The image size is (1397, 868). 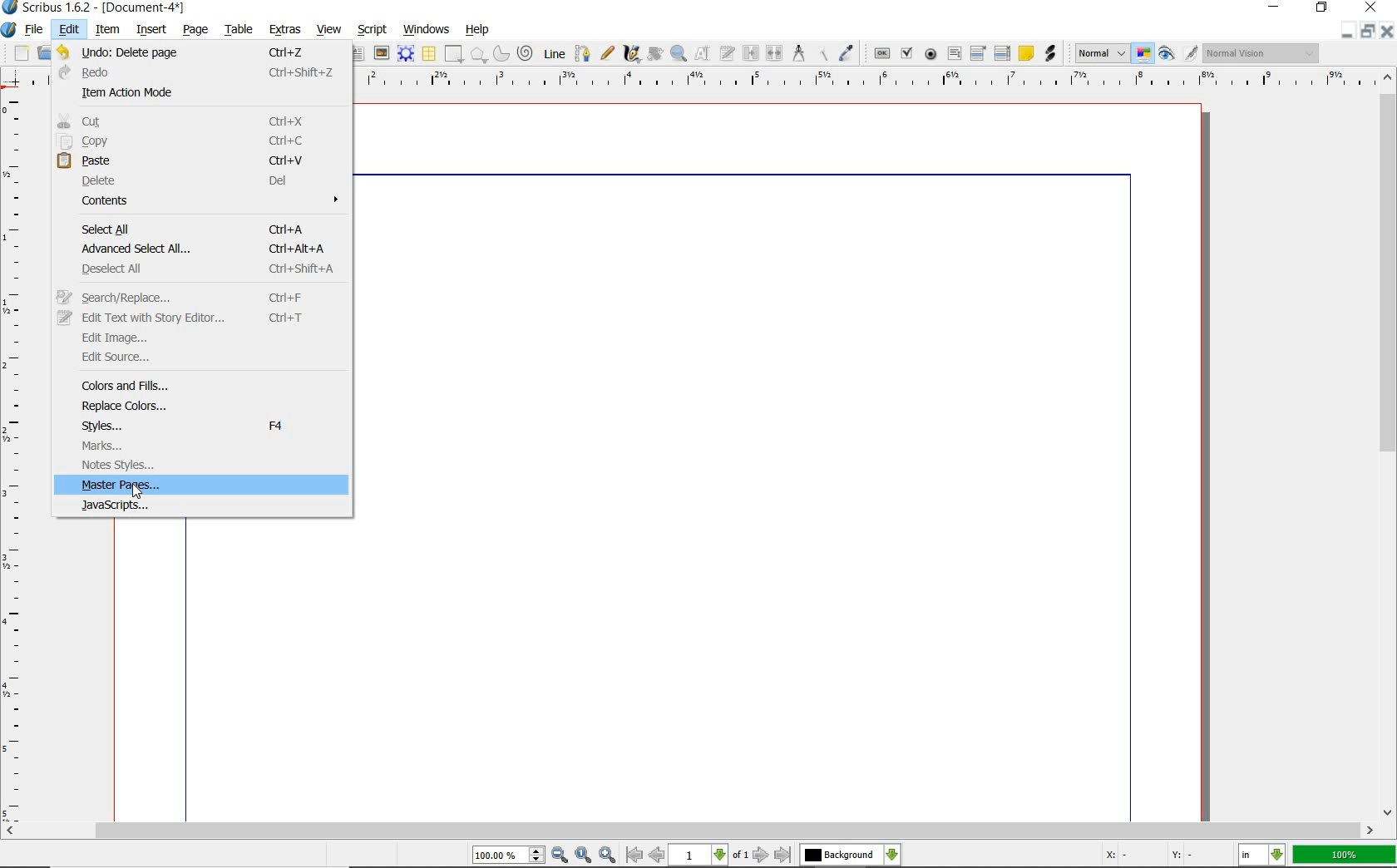 I want to click on zoom out, so click(x=560, y=856).